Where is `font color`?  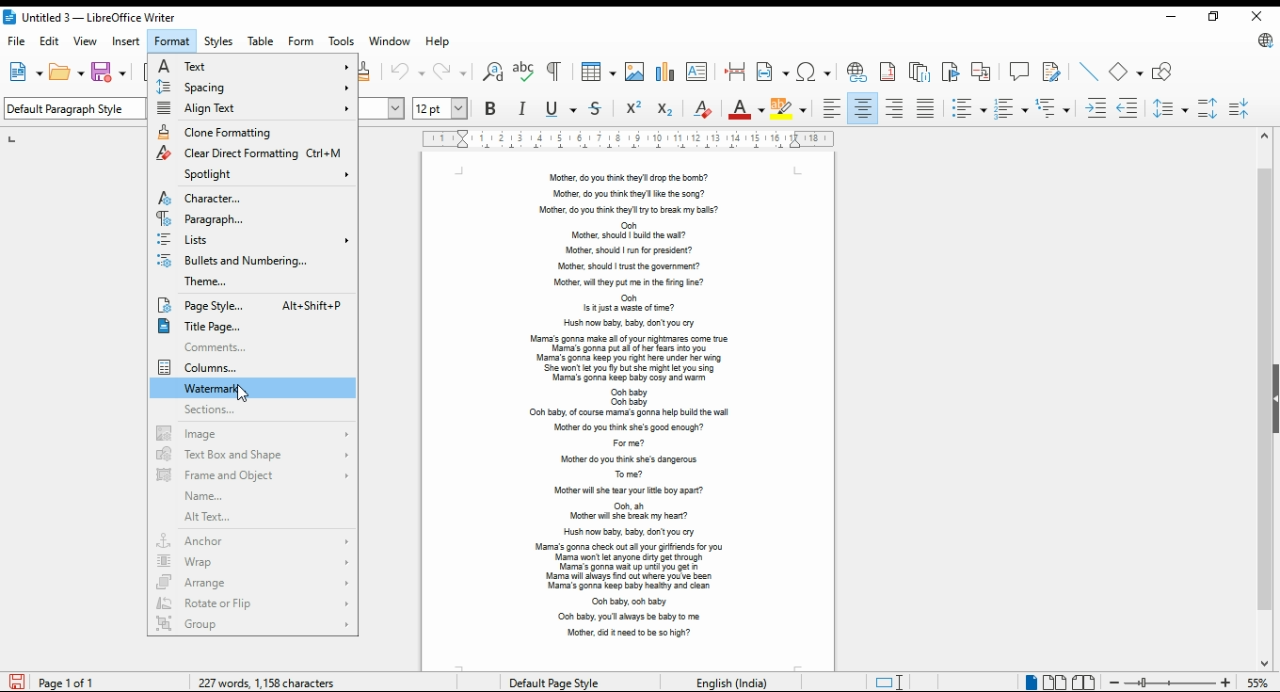
font color is located at coordinates (746, 108).